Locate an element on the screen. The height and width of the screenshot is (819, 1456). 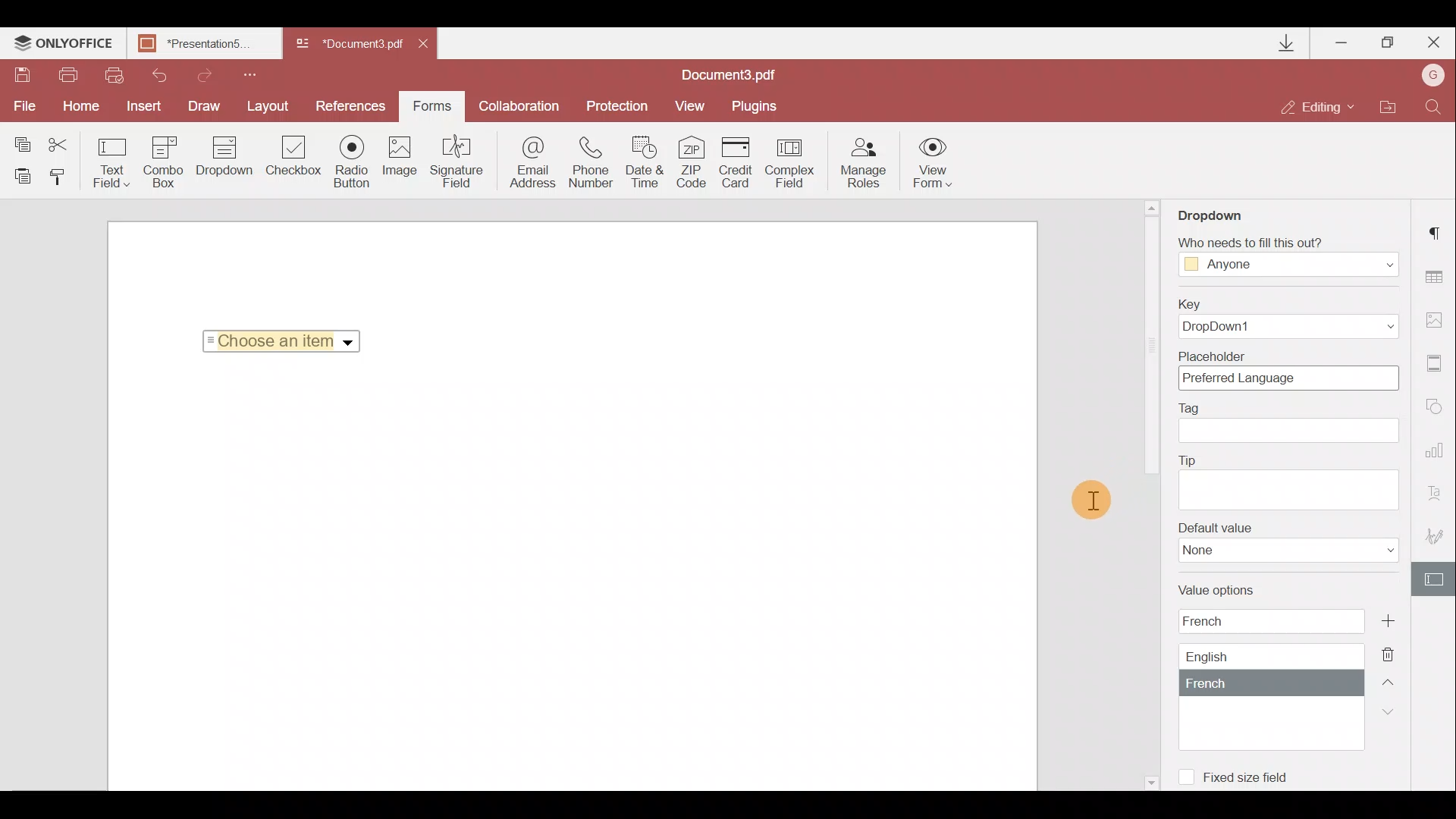
Open file location is located at coordinates (1387, 108).